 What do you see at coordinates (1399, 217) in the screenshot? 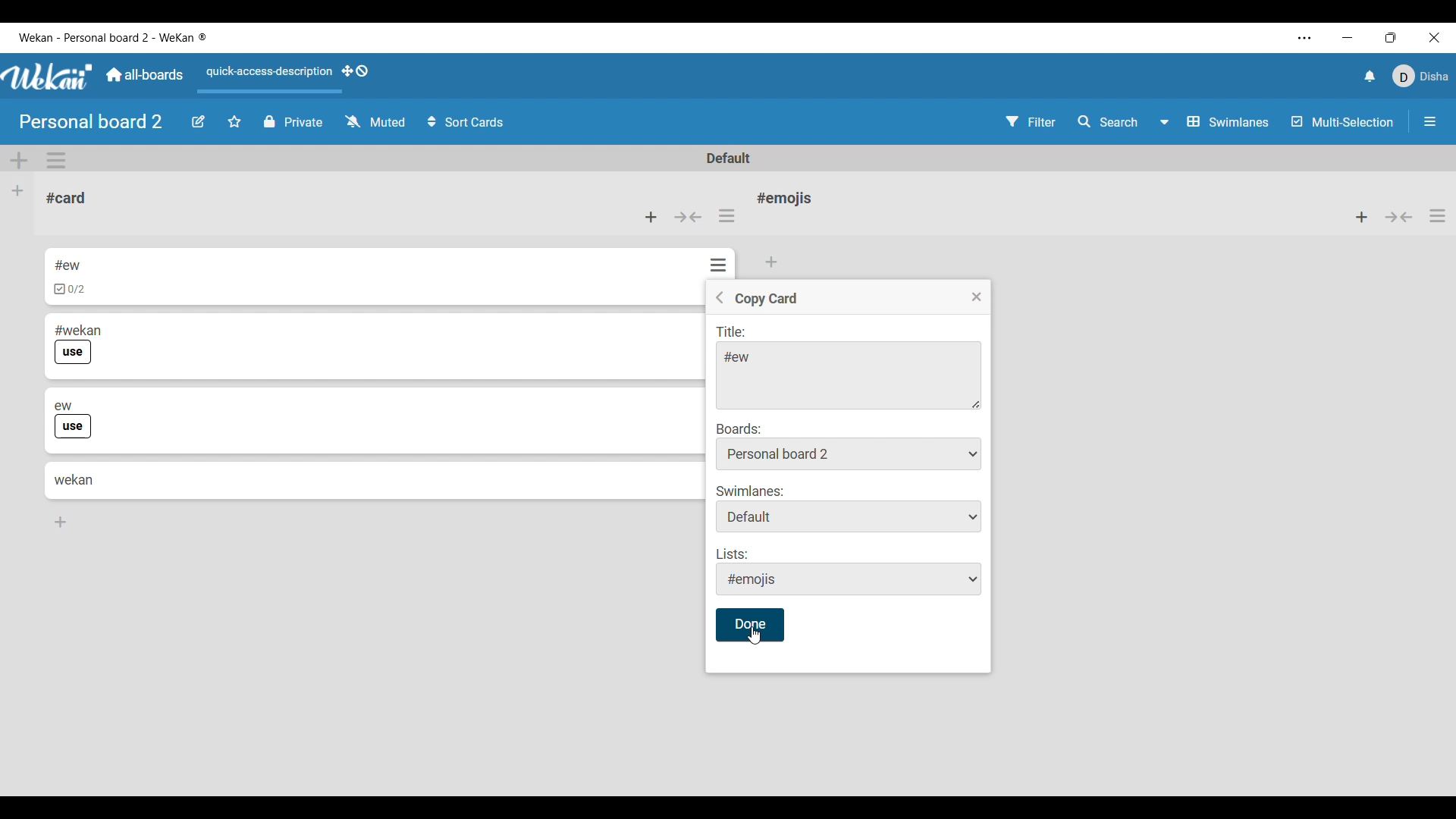
I see `Collapse` at bounding box center [1399, 217].